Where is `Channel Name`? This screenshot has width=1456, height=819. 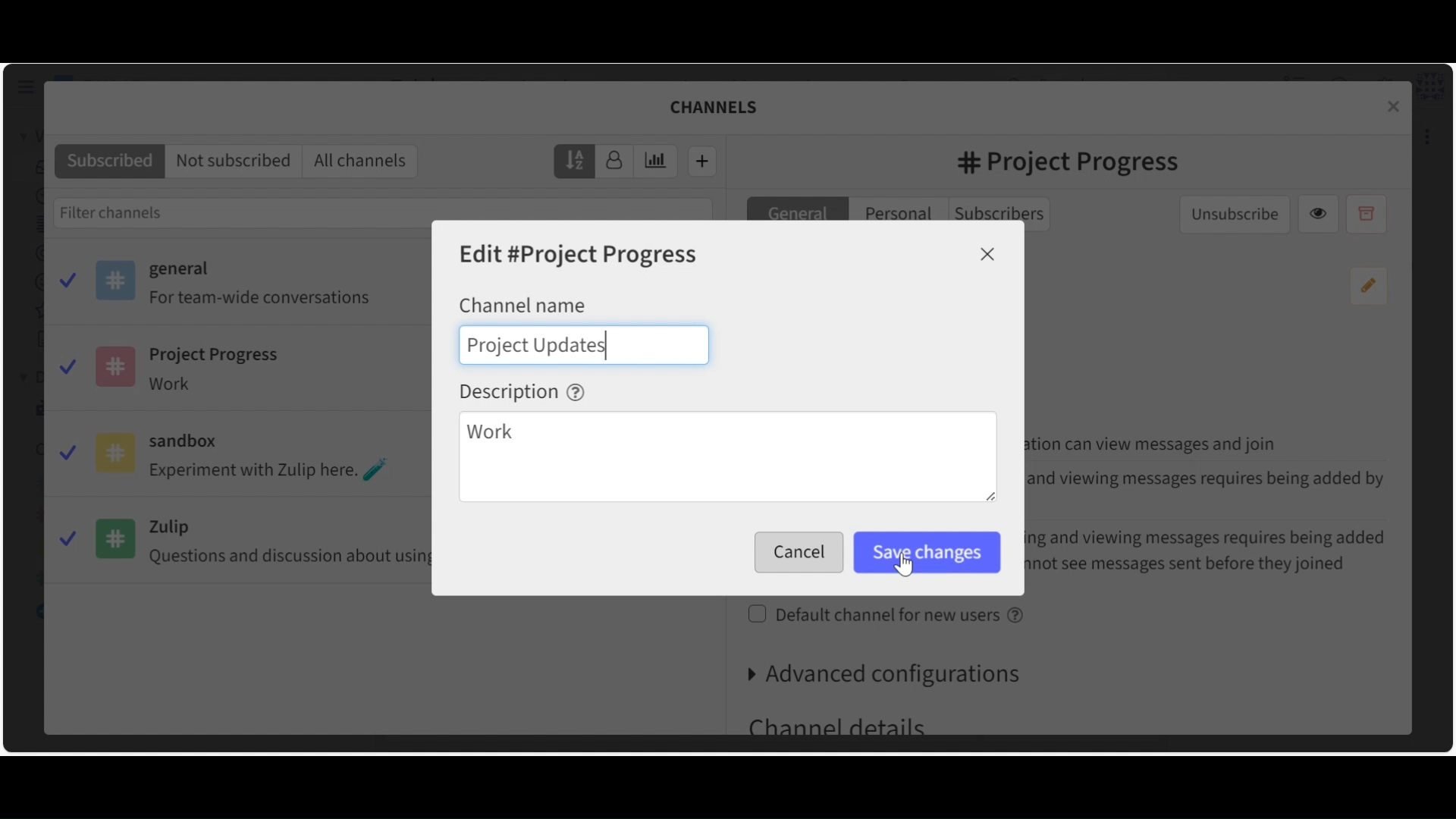 Channel Name is located at coordinates (522, 304).